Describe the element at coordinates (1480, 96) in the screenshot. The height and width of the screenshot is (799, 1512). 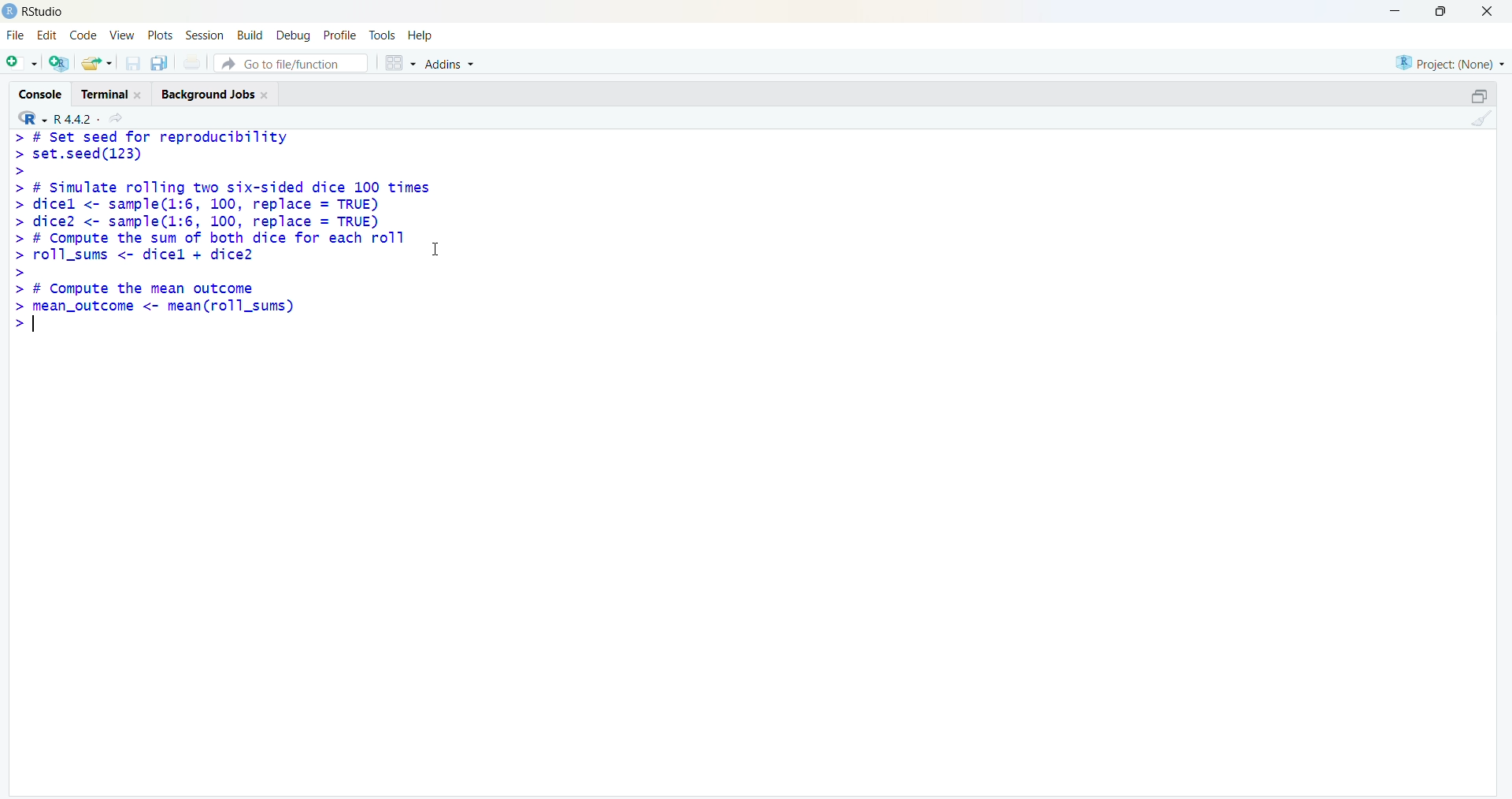
I see `open in separate window` at that location.